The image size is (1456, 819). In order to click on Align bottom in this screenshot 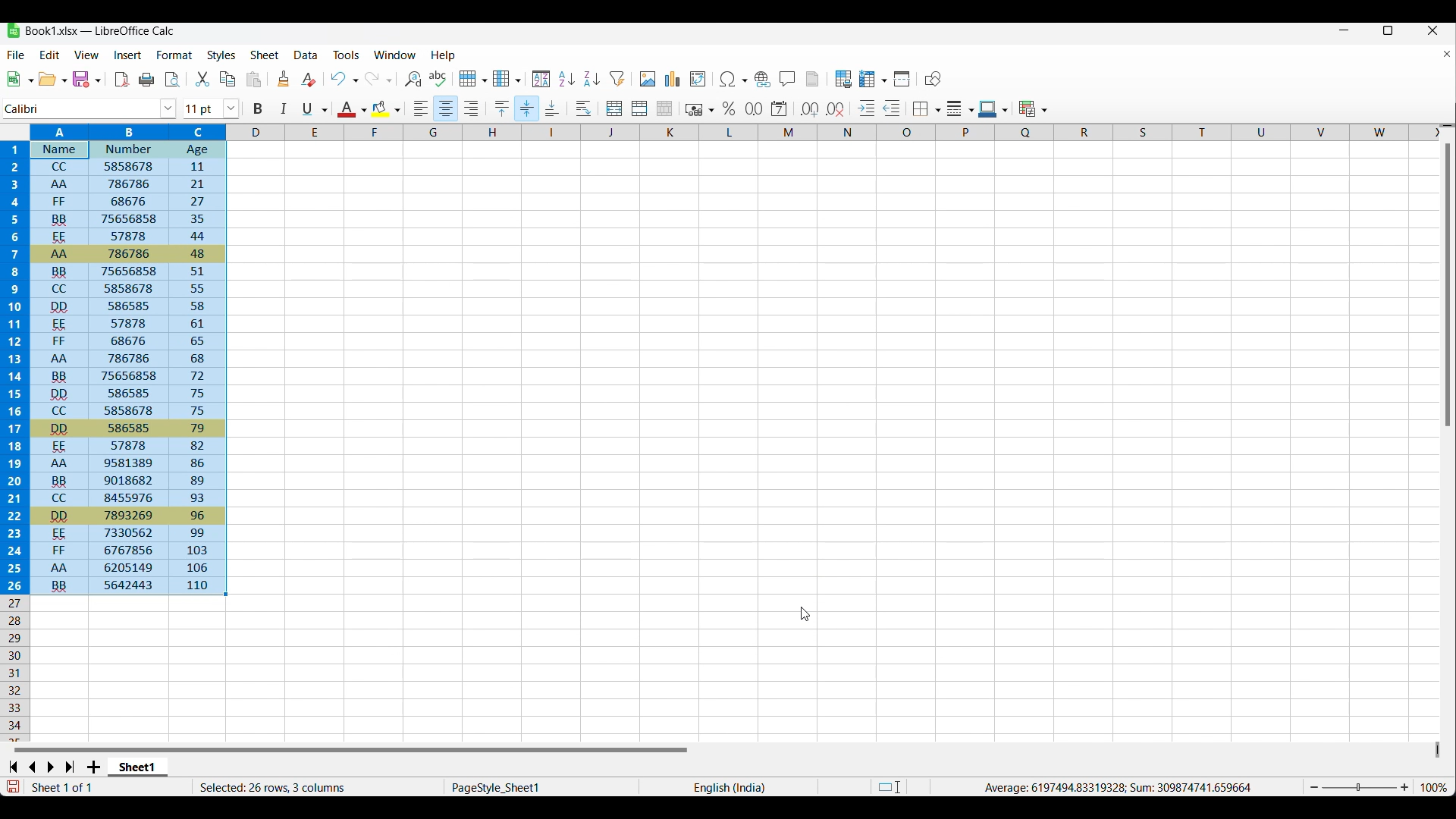, I will do `click(553, 108)`.